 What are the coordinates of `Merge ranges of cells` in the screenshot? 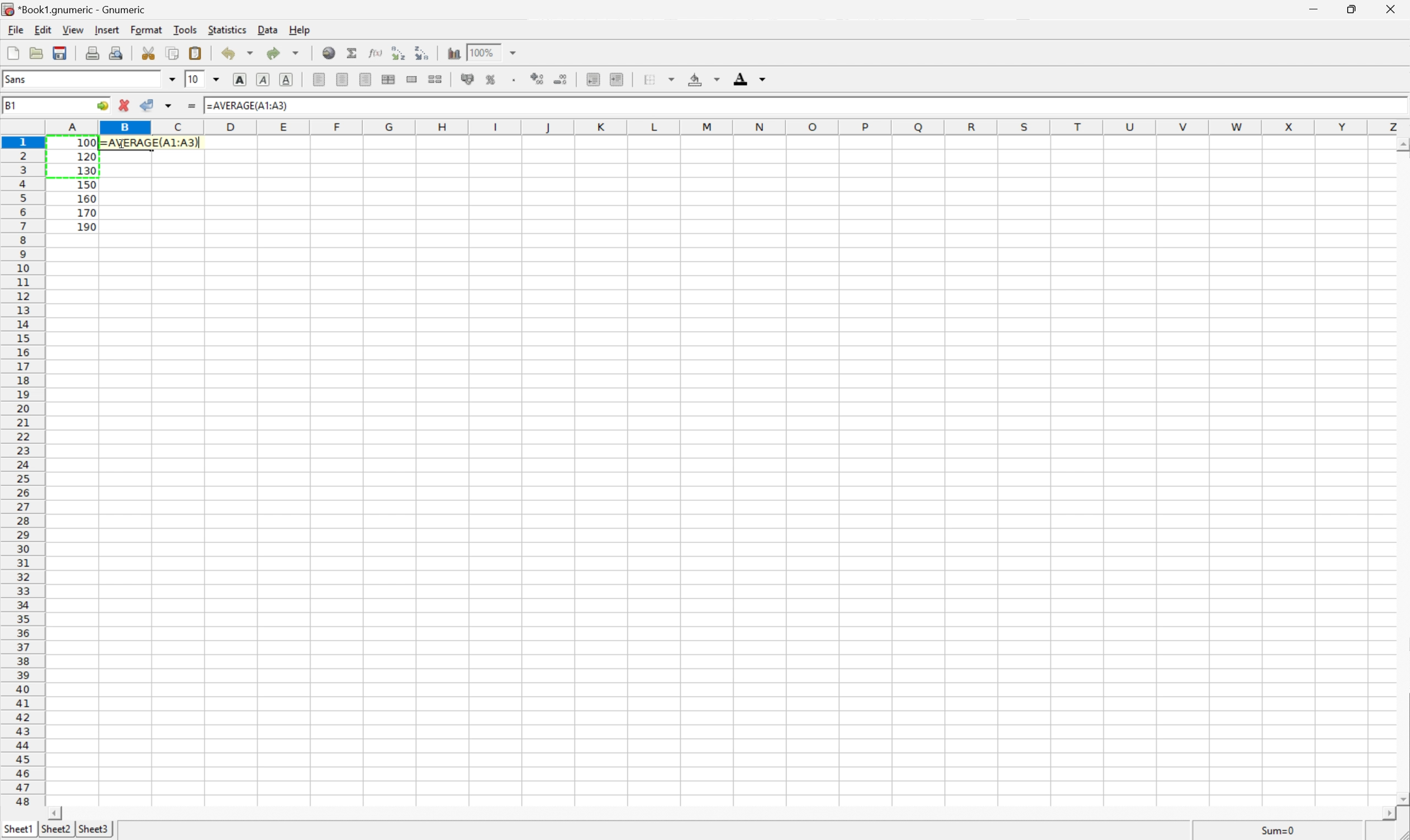 It's located at (413, 79).